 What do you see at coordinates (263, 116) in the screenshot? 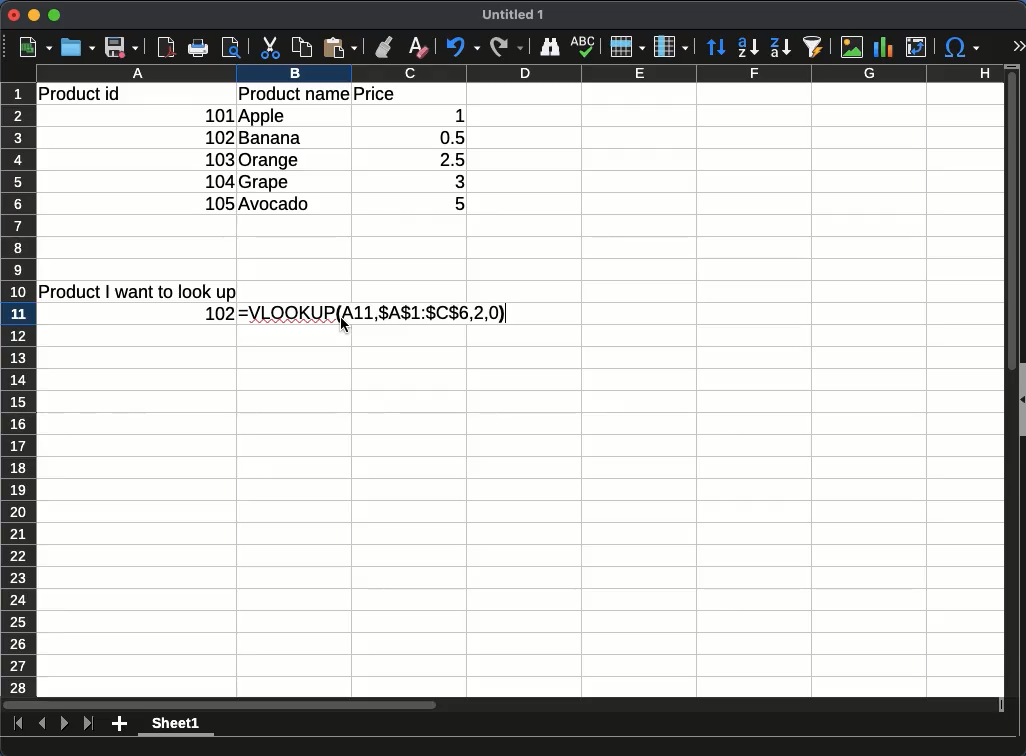
I see `apple` at bounding box center [263, 116].